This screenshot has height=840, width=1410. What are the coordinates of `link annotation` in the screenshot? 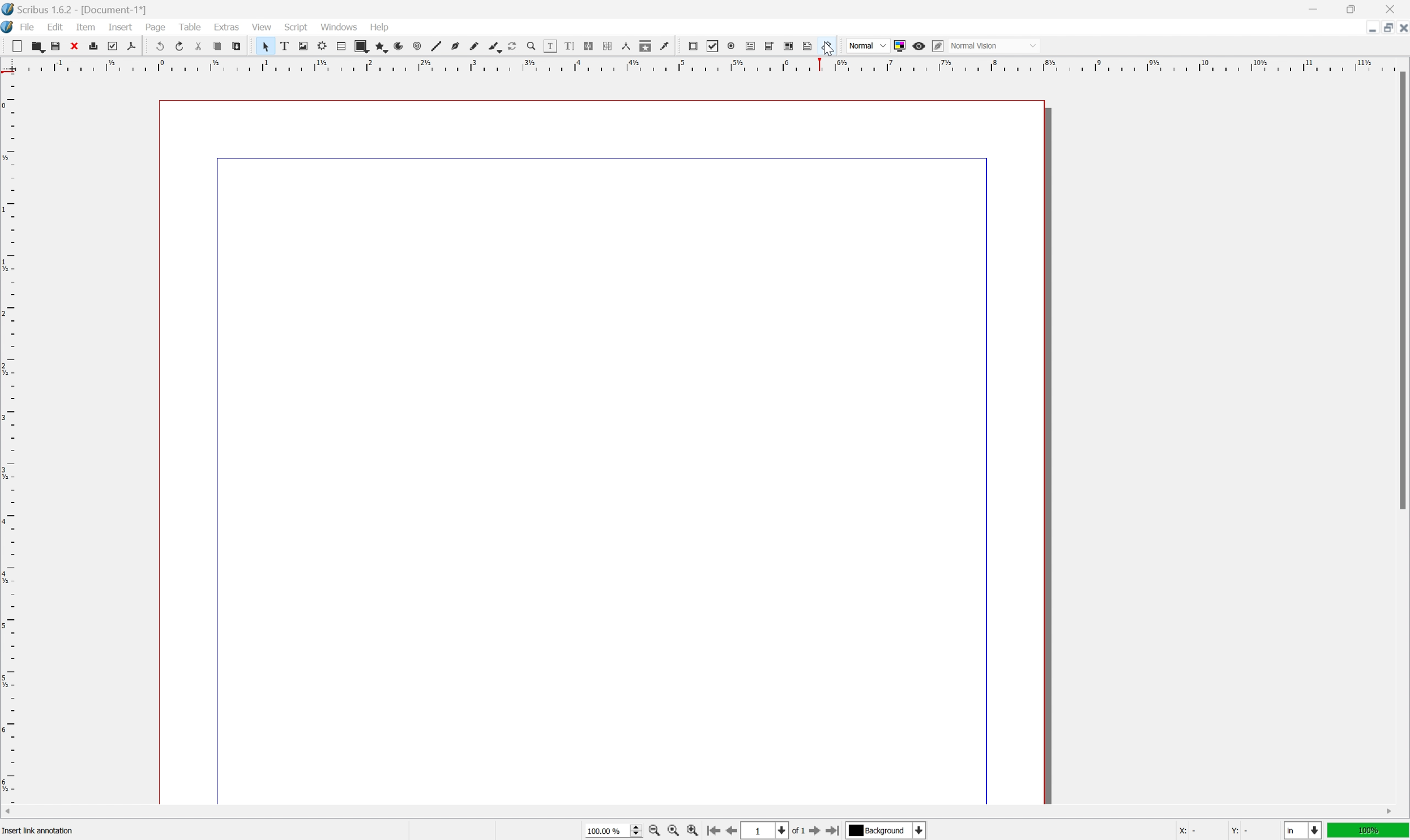 It's located at (826, 46).